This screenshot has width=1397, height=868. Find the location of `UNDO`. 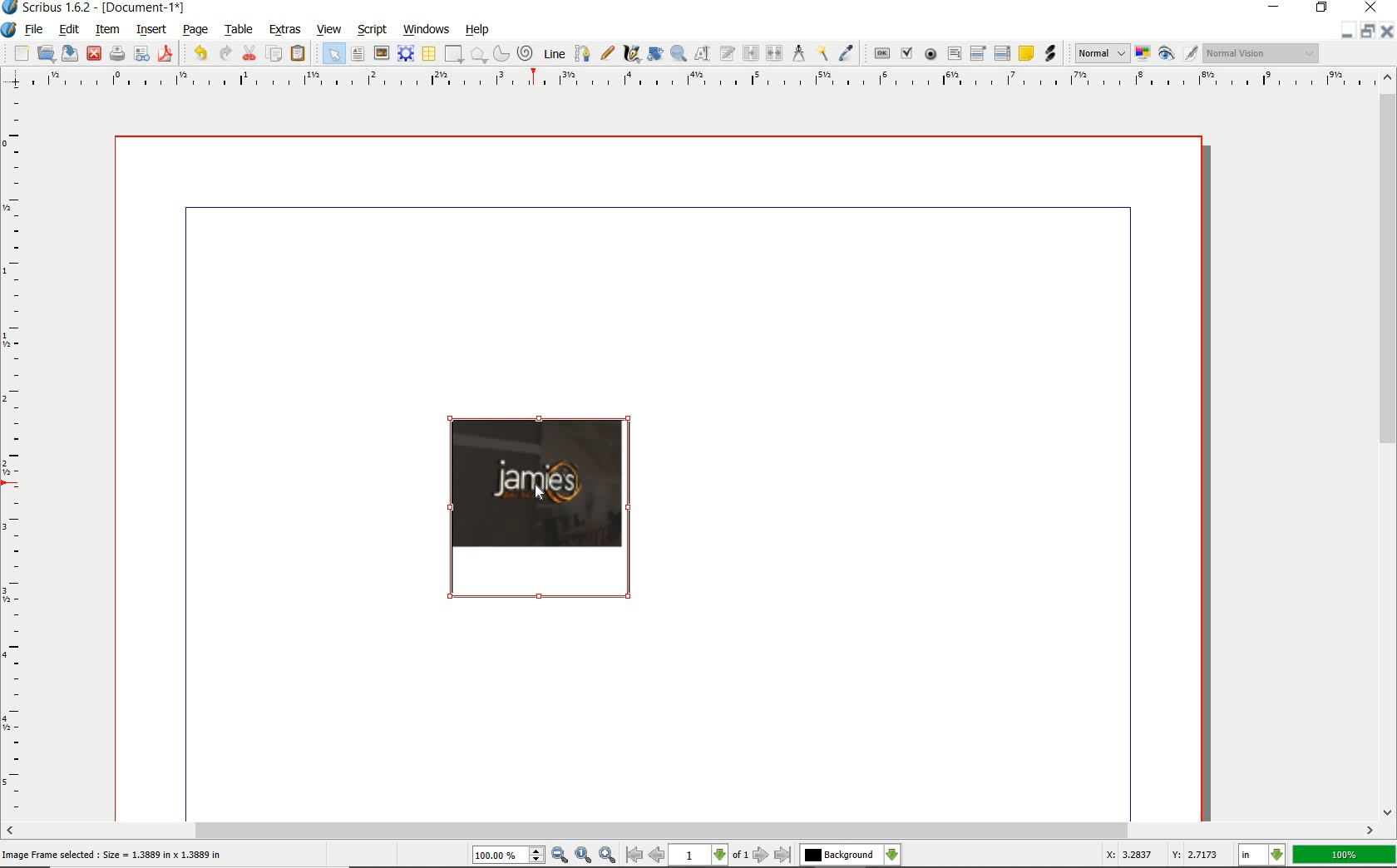

UNDO is located at coordinates (224, 54).